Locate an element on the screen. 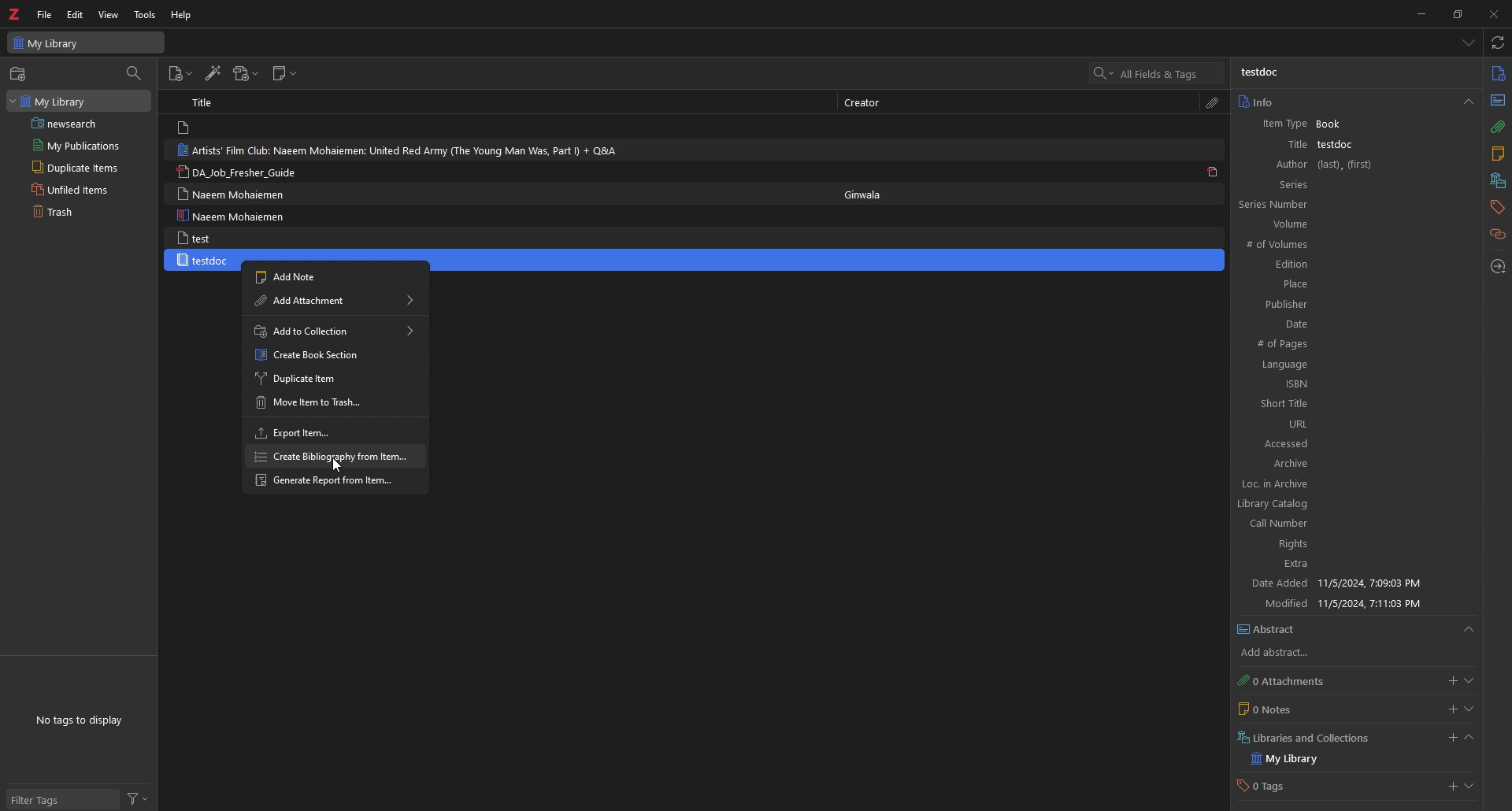 The width and height of the screenshot is (1512, 811). Creator is located at coordinates (868, 103).